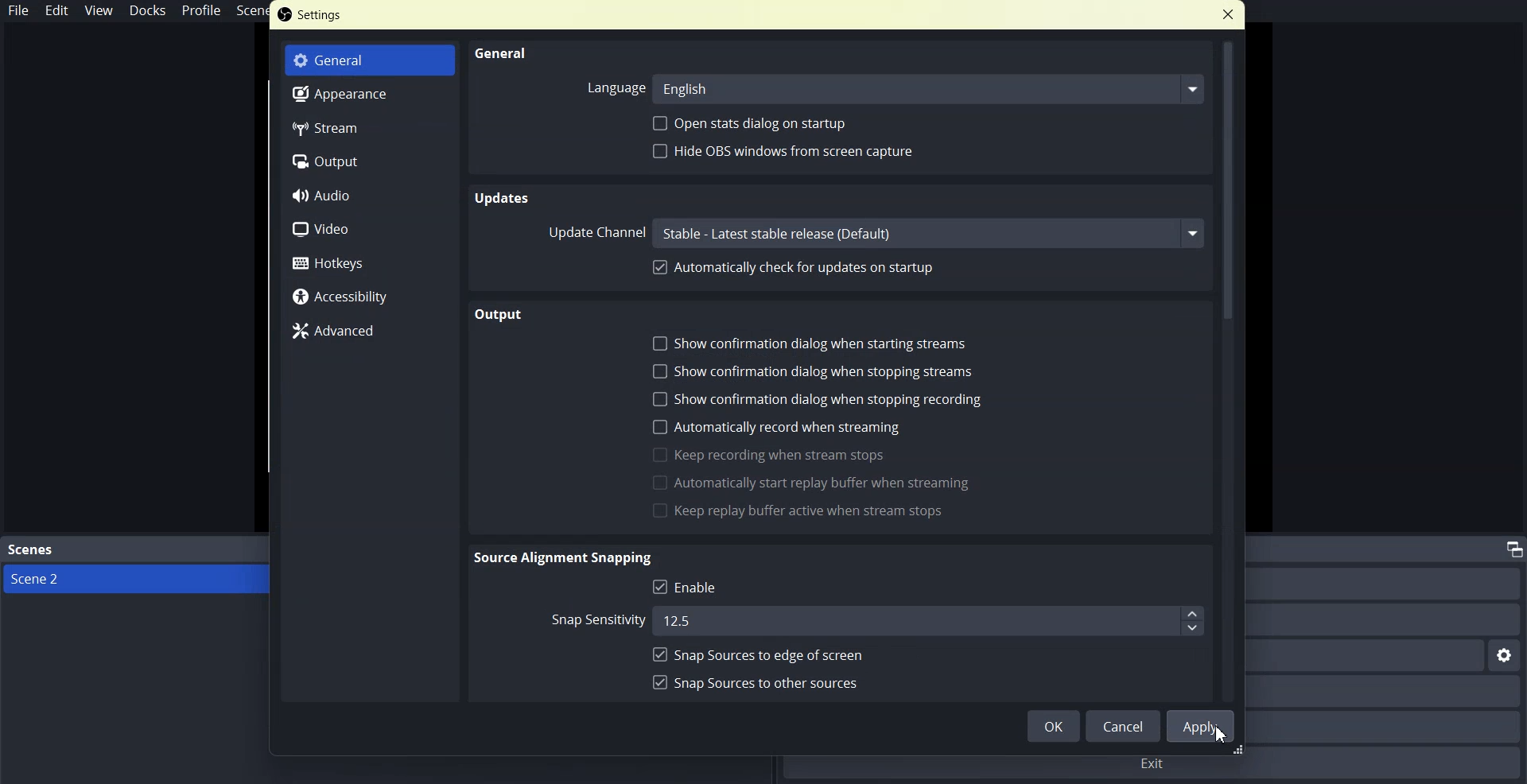 This screenshot has height=784, width=1527. What do you see at coordinates (818, 398) in the screenshot?
I see `Show confirmation dialogue when stopping recording` at bounding box center [818, 398].